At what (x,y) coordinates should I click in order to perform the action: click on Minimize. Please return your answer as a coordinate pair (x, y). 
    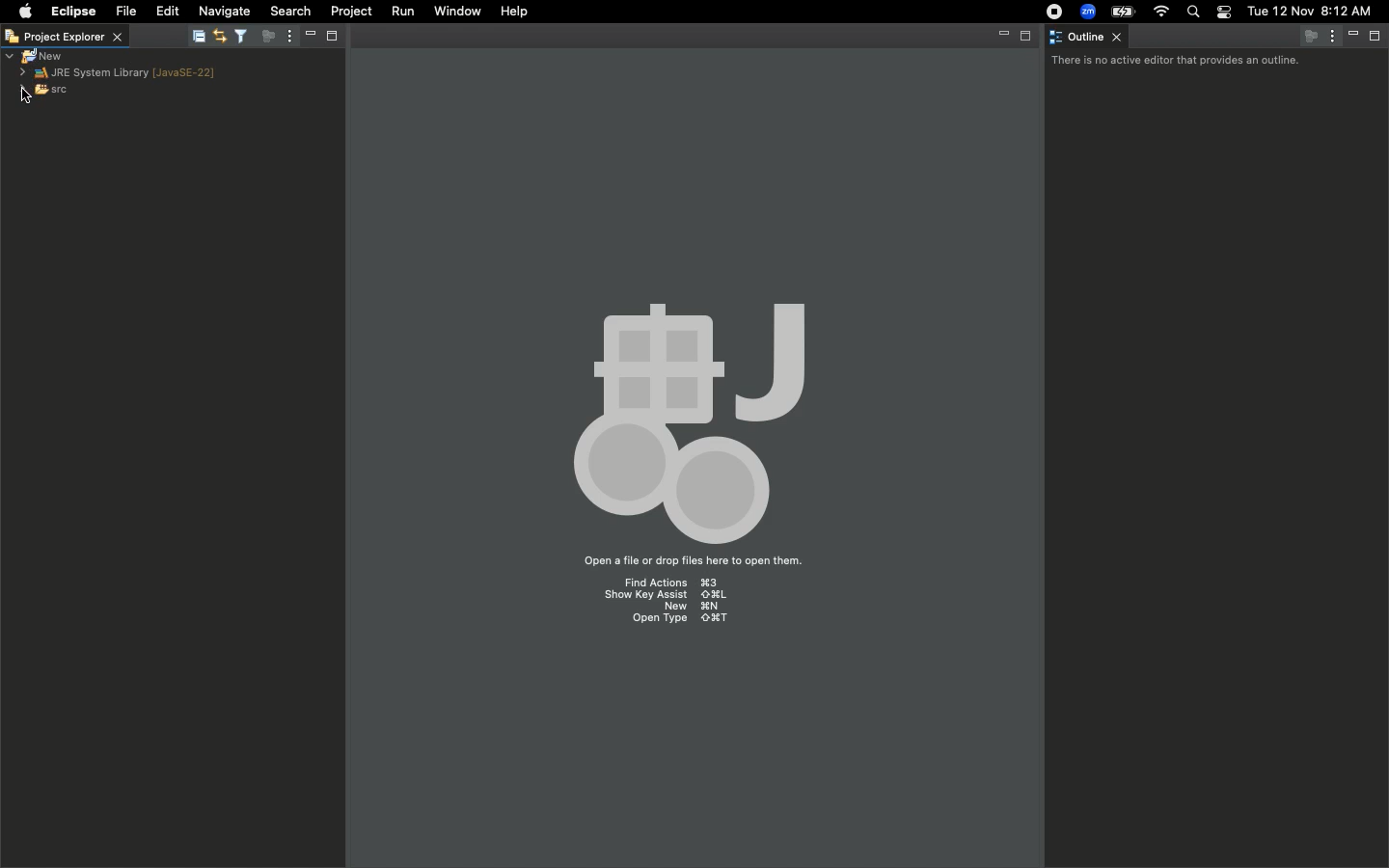
    Looking at the image, I should click on (1354, 35).